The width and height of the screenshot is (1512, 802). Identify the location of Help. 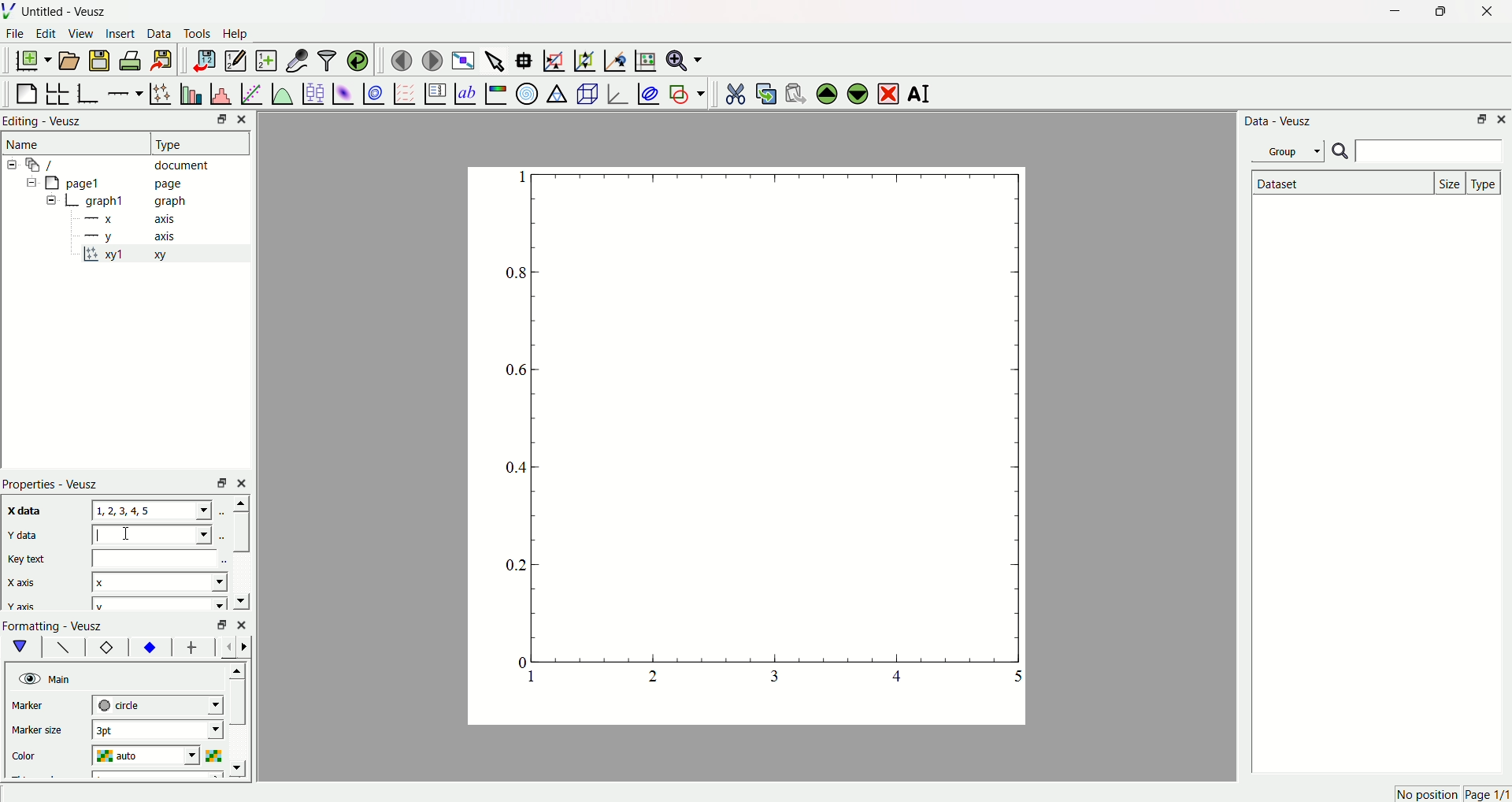
(240, 34).